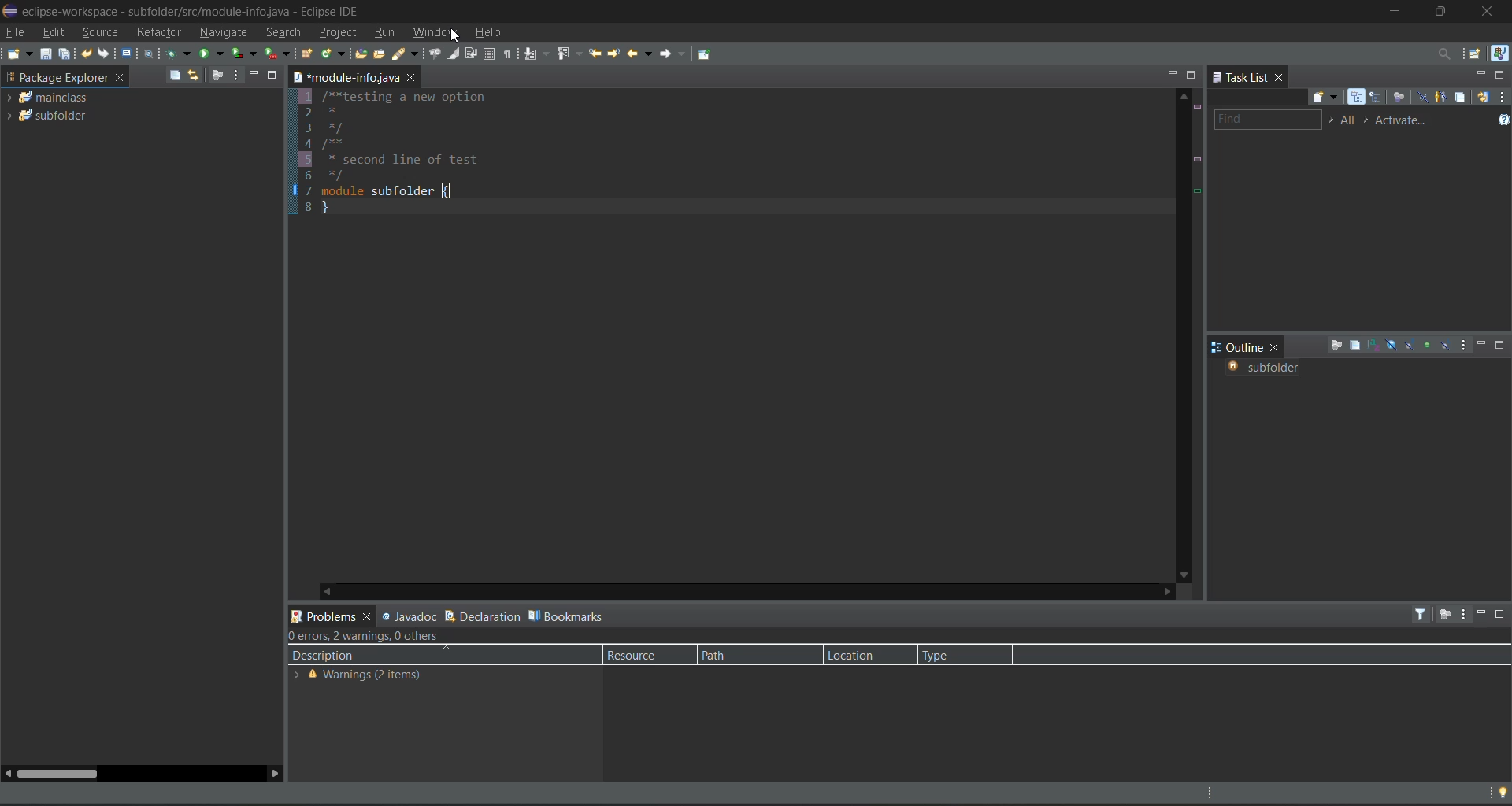 The height and width of the screenshot is (806, 1512). What do you see at coordinates (1499, 793) in the screenshot?
I see `tip of the day` at bounding box center [1499, 793].